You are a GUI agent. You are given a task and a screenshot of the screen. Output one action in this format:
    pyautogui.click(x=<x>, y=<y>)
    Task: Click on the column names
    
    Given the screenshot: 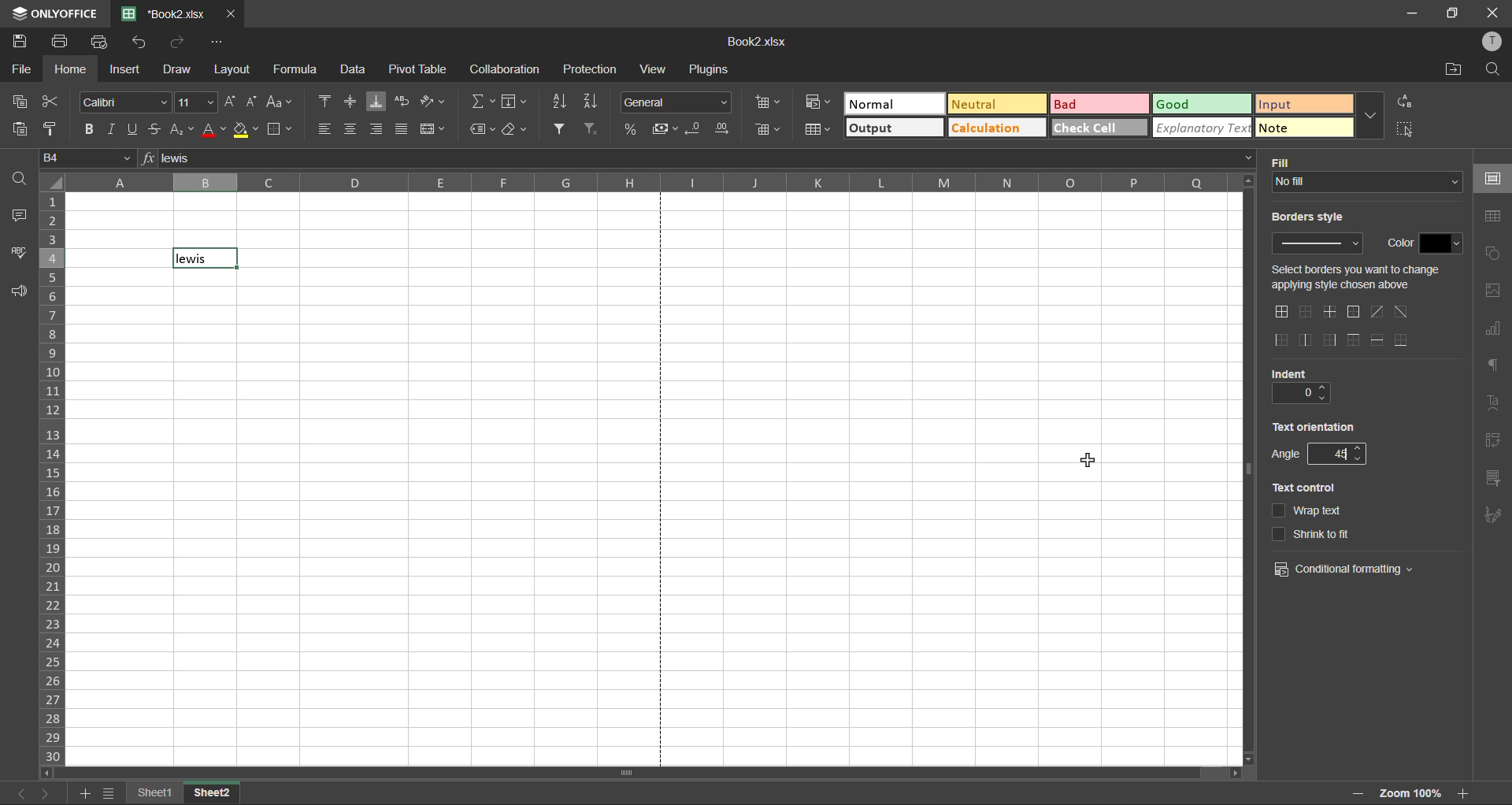 What is the action you would take?
    pyautogui.click(x=652, y=181)
    